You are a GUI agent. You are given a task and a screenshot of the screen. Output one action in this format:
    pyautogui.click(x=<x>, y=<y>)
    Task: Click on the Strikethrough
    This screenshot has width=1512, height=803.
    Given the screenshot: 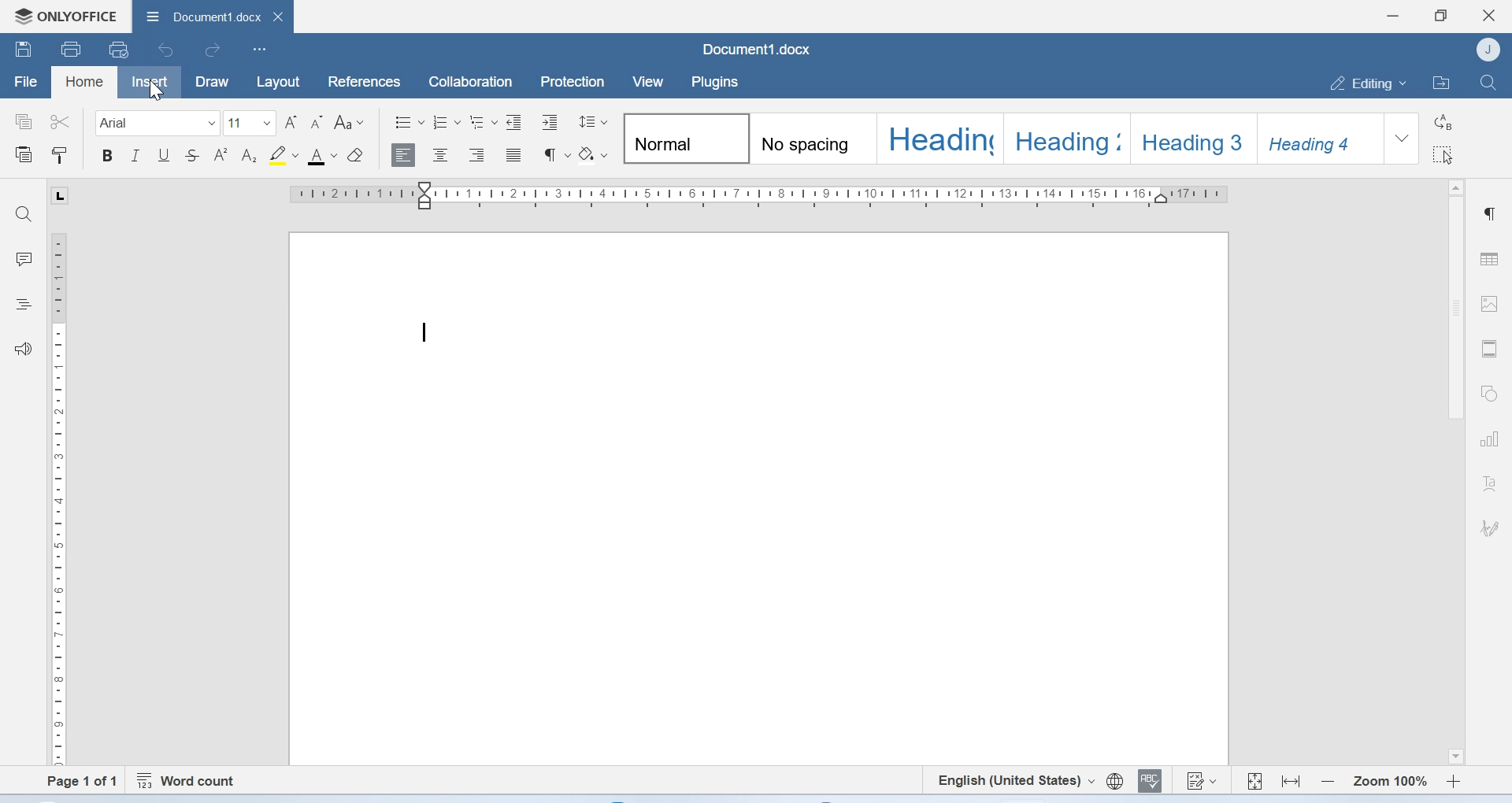 What is the action you would take?
    pyautogui.click(x=192, y=156)
    